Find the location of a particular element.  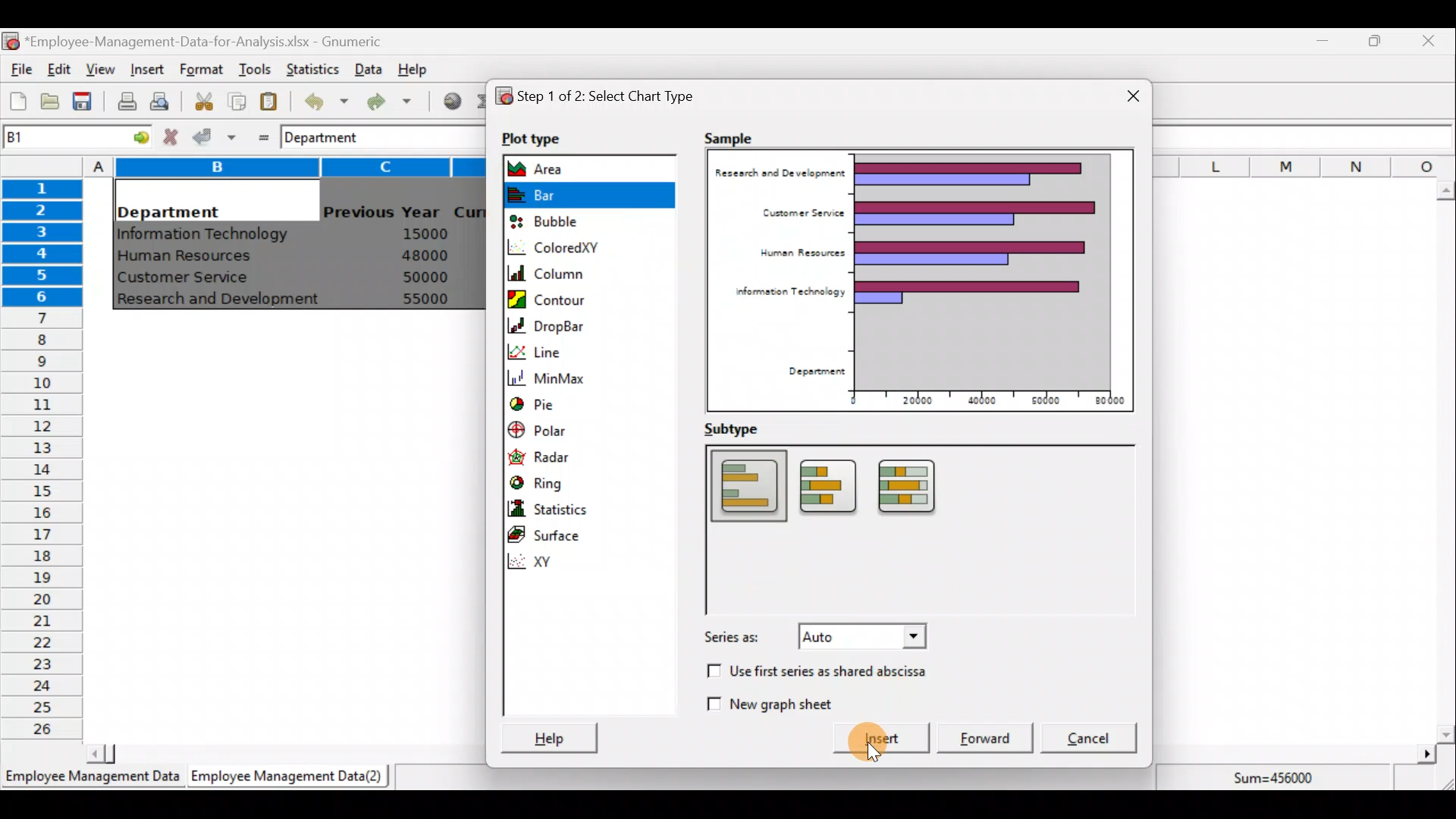

MinMax is located at coordinates (561, 375).